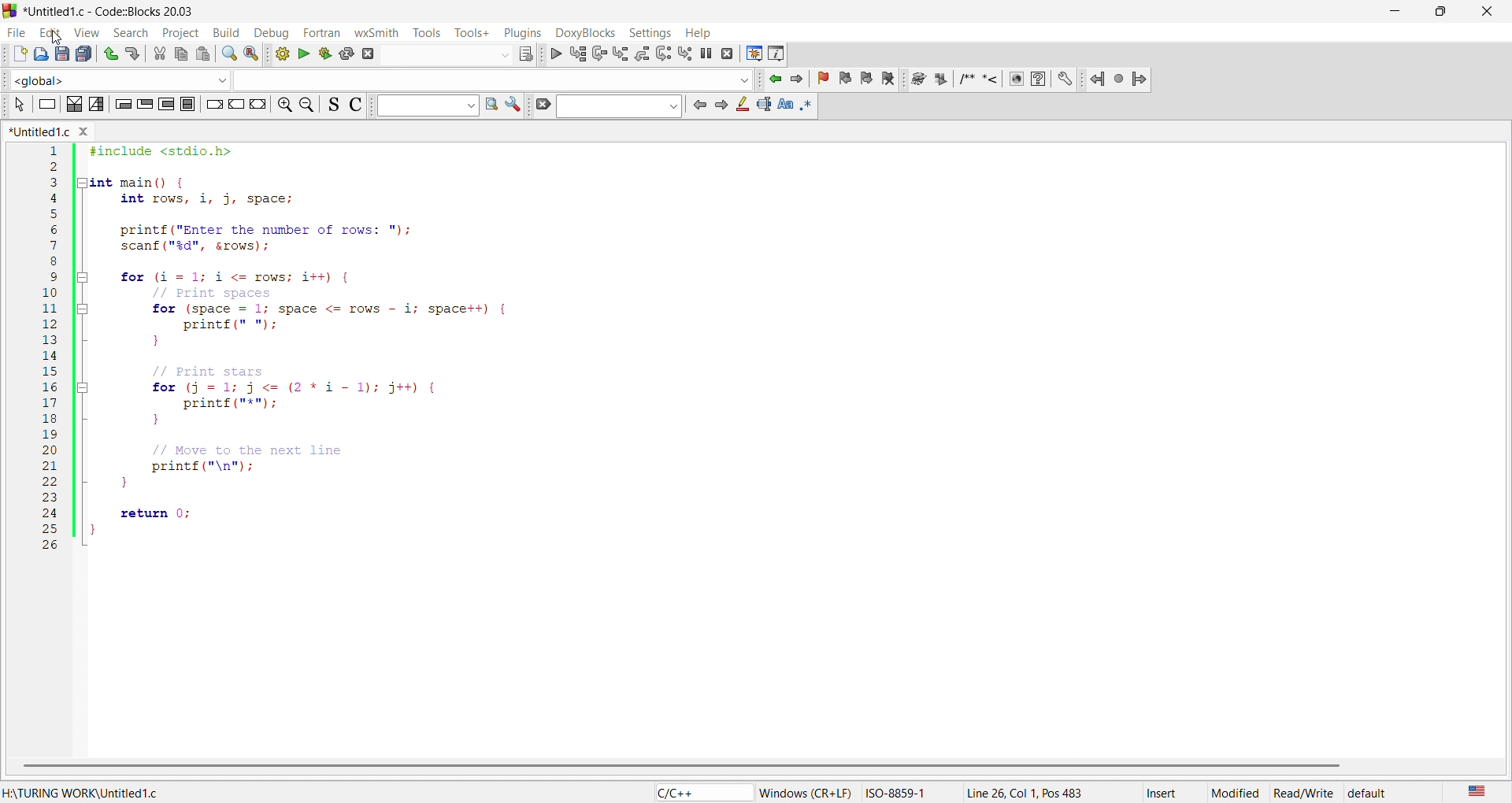 The image size is (1512, 803). Describe the element at coordinates (234, 105) in the screenshot. I see `icon` at that location.